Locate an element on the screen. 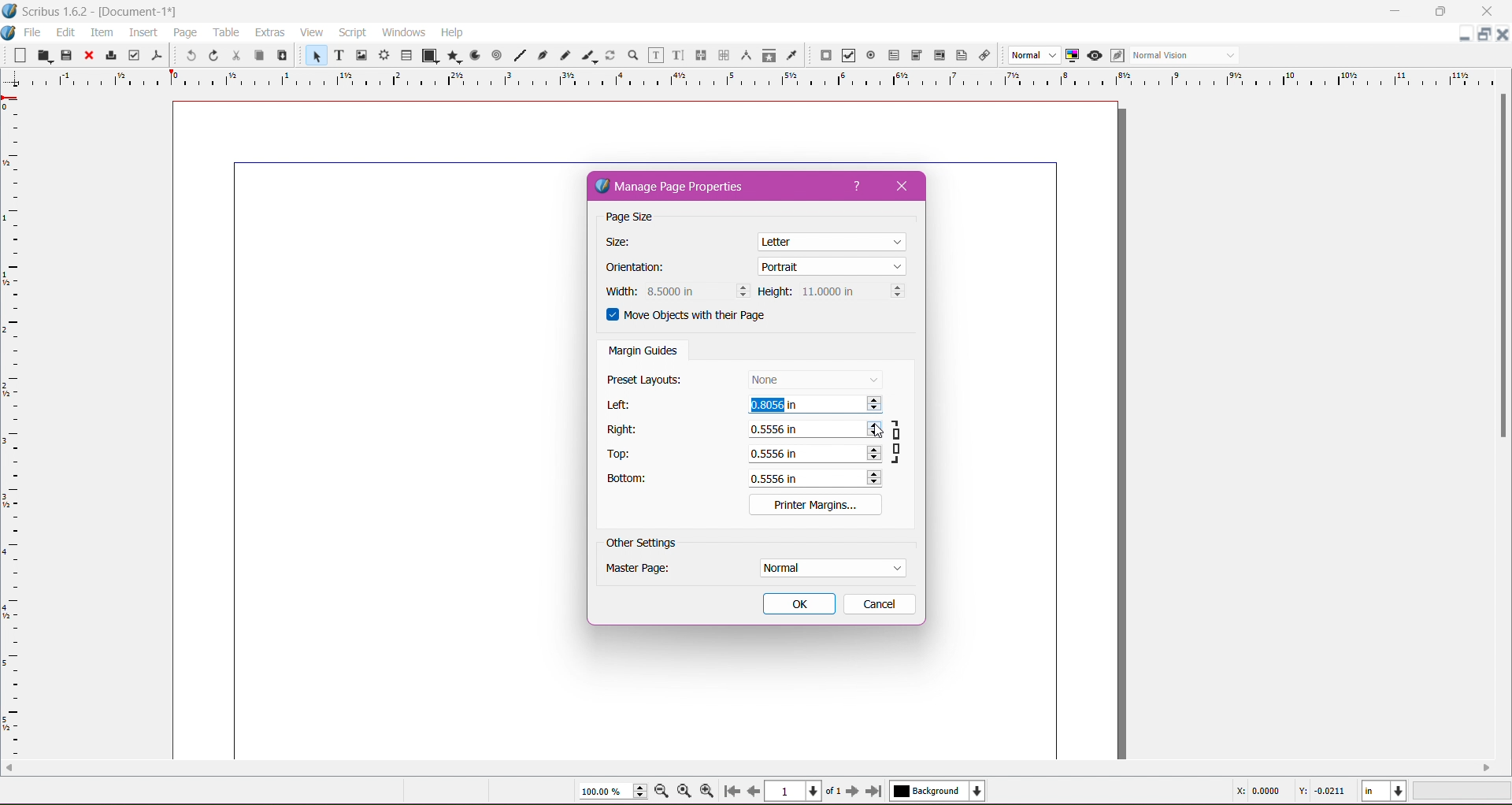 The image size is (1512, 805). Manage Page Properties is located at coordinates (682, 187).